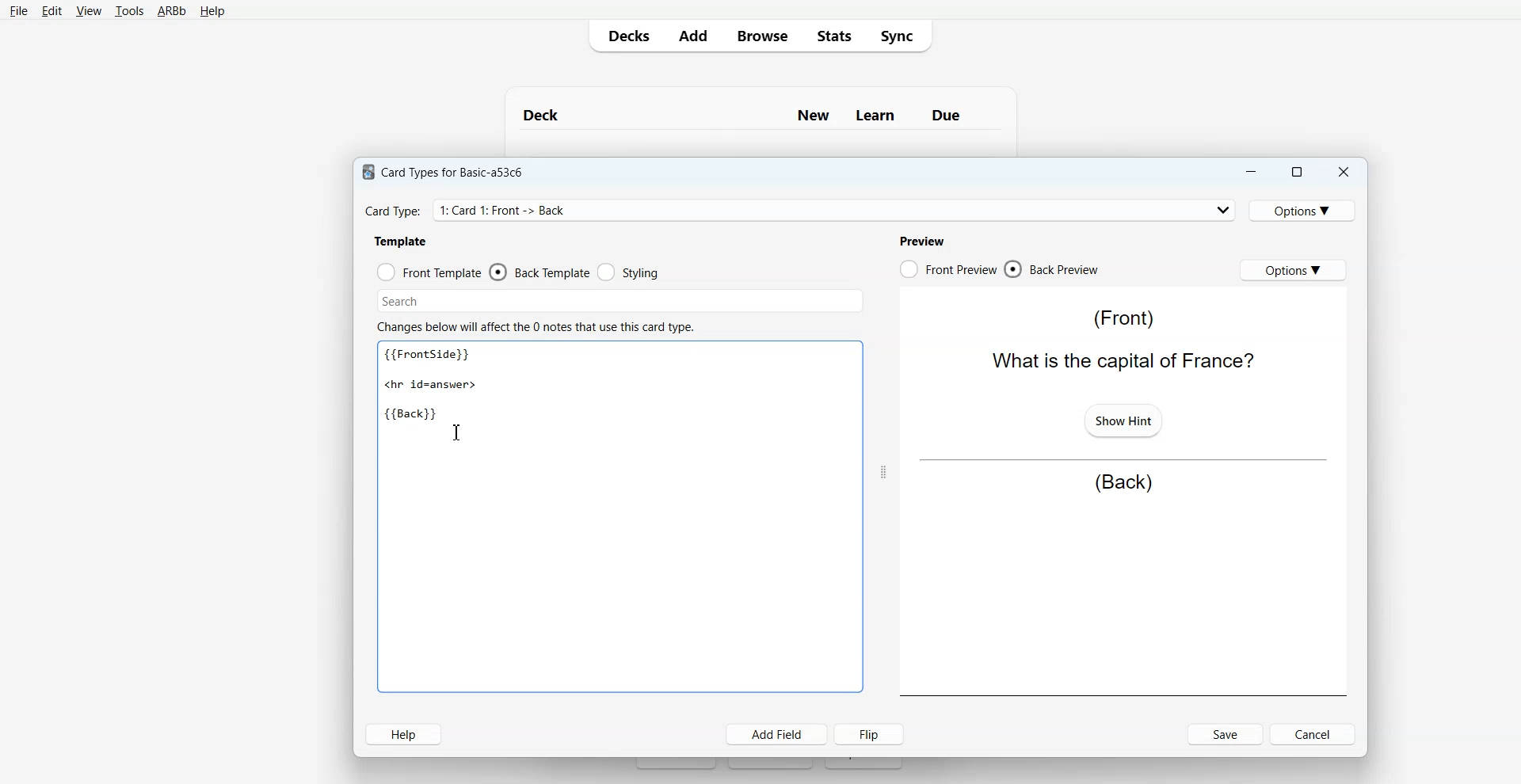 The height and width of the screenshot is (784, 1521). What do you see at coordinates (761, 35) in the screenshot?
I see `Browse` at bounding box center [761, 35].